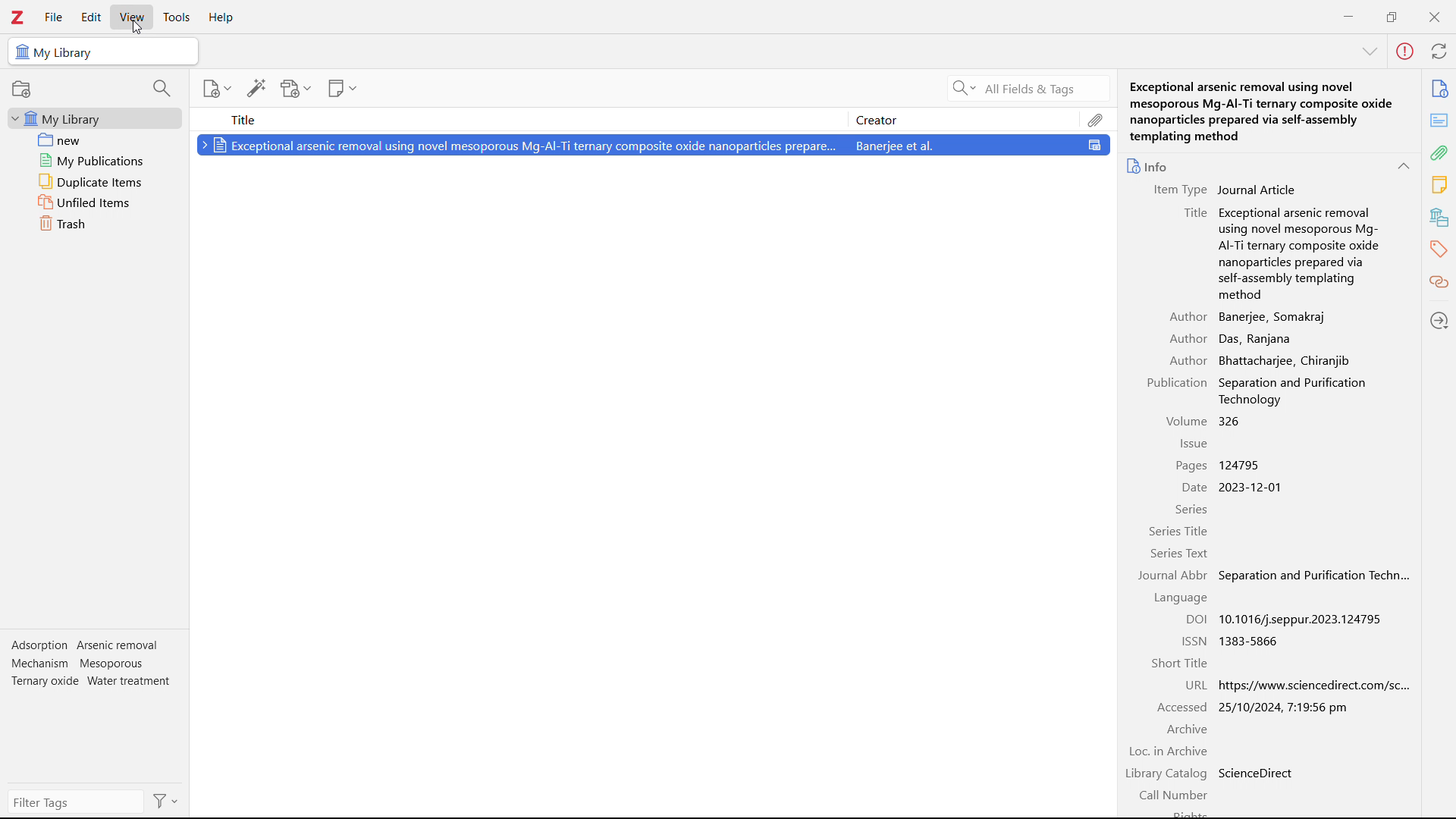 This screenshot has width=1456, height=819. Describe the element at coordinates (71, 802) in the screenshot. I see `filter tags` at that location.